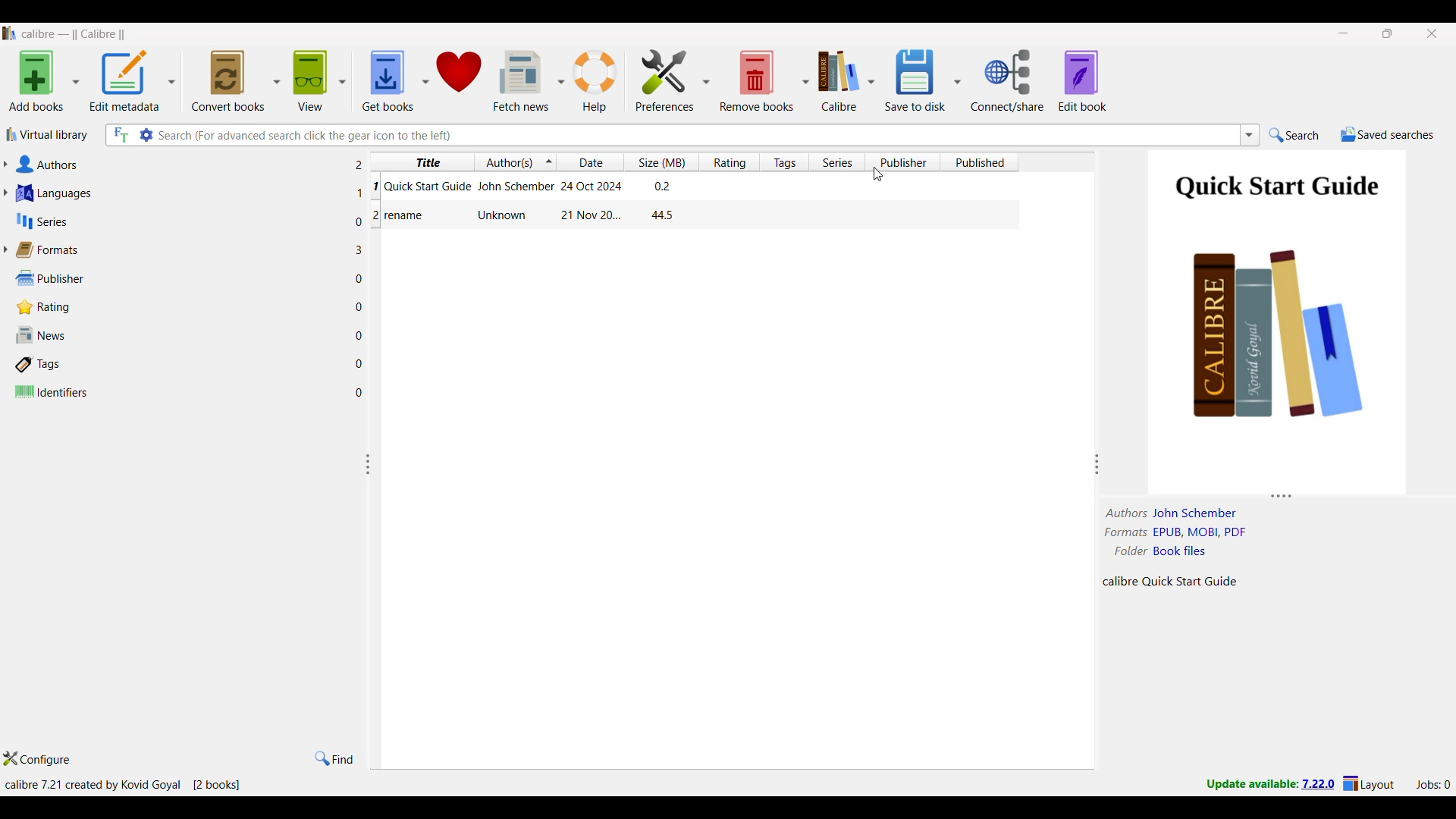 The width and height of the screenshot is (1456, 819). What do you see at coordinates (175, 307) in the screenshot?
I see `Rating` at bounding box center [175, 307].